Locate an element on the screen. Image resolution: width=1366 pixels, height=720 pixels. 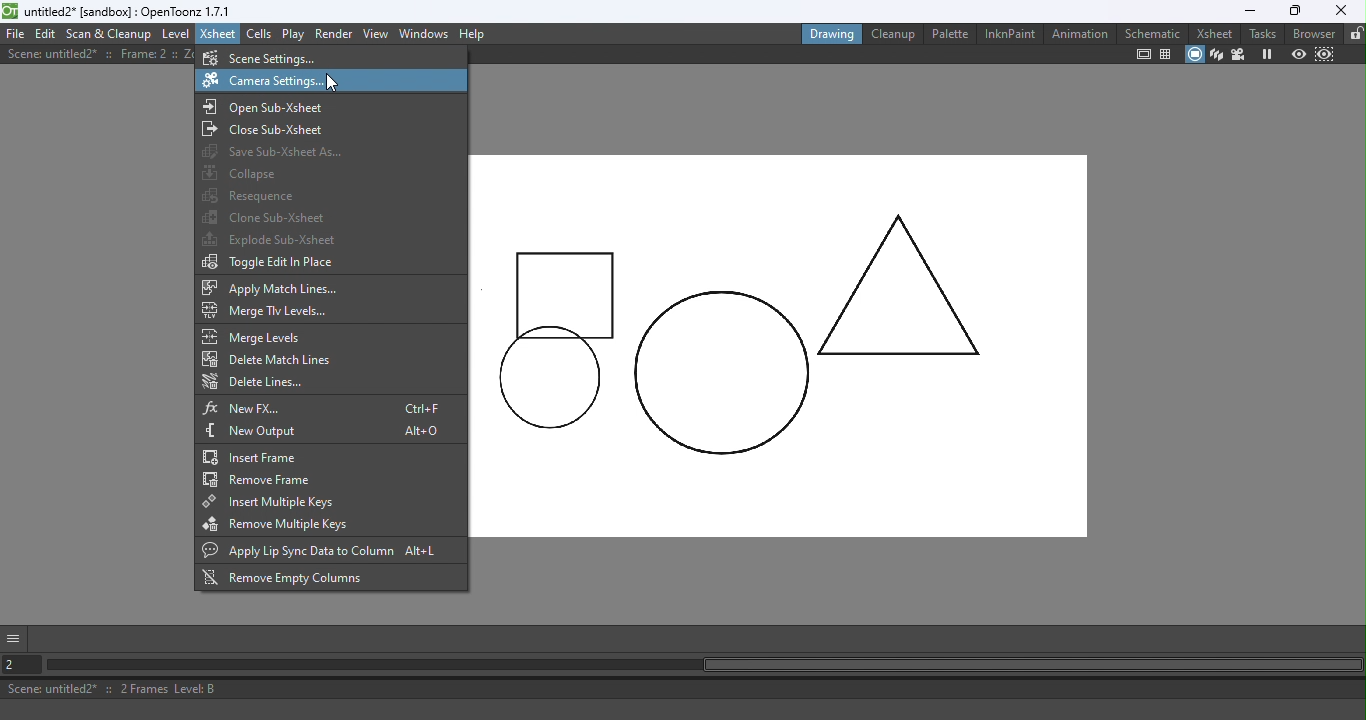
Remove frame is located at coordinates (260, 481).